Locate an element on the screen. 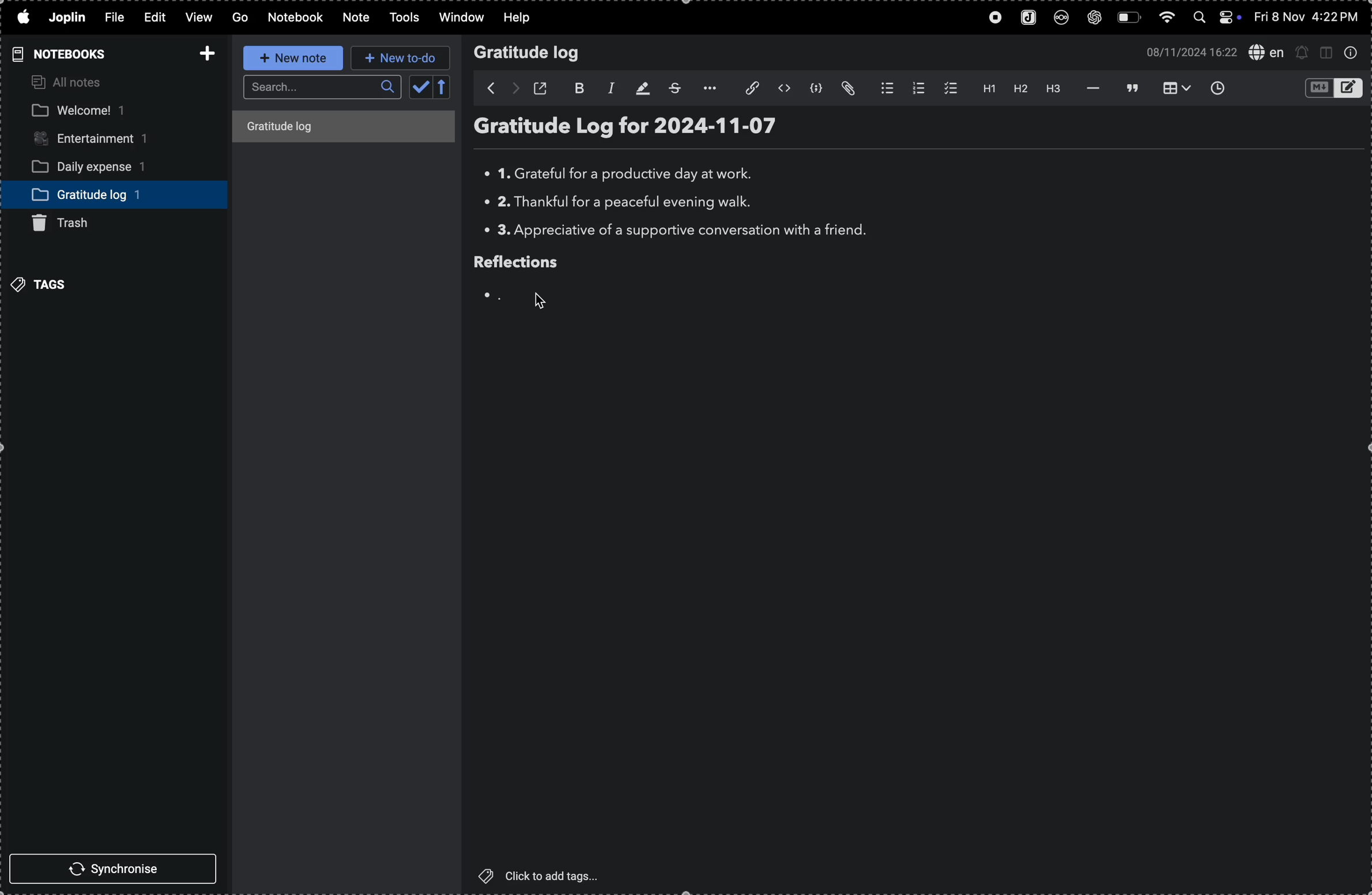 The width and height of the screenshot is (1372, 895). notebook is located at coordinates (296, 18).